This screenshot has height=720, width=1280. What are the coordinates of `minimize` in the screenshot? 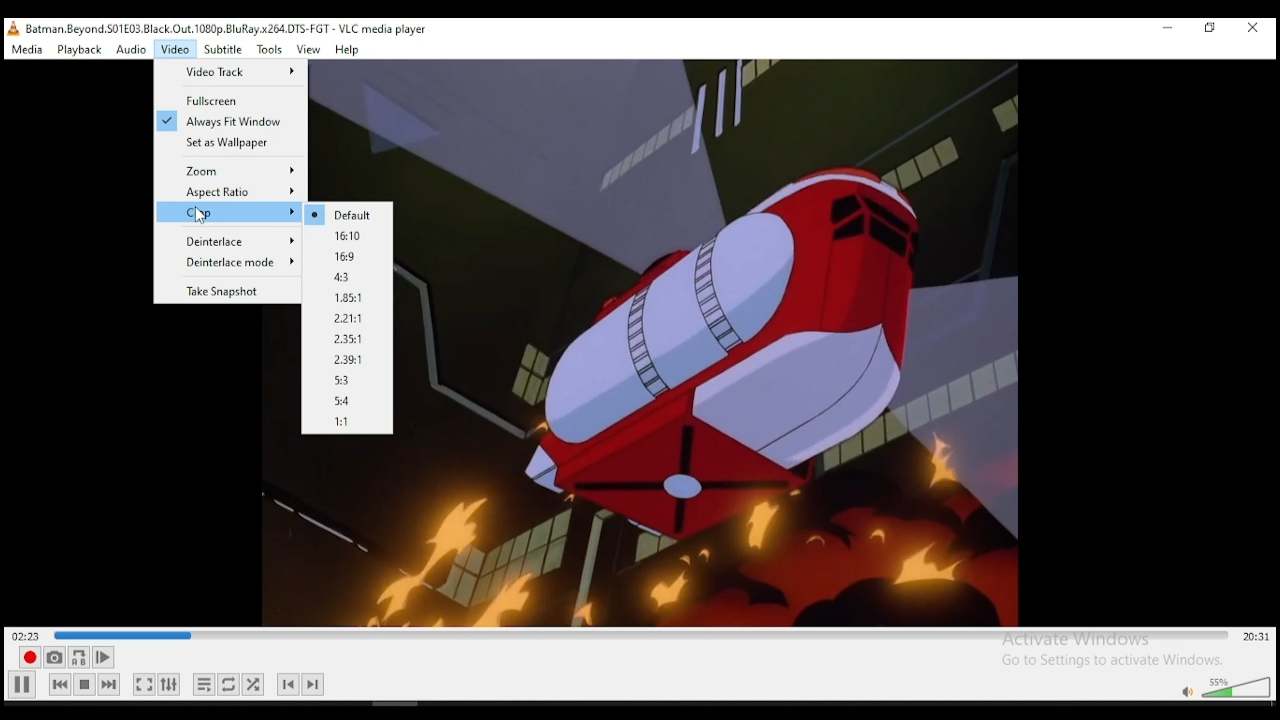 It's located at (1163, 30).